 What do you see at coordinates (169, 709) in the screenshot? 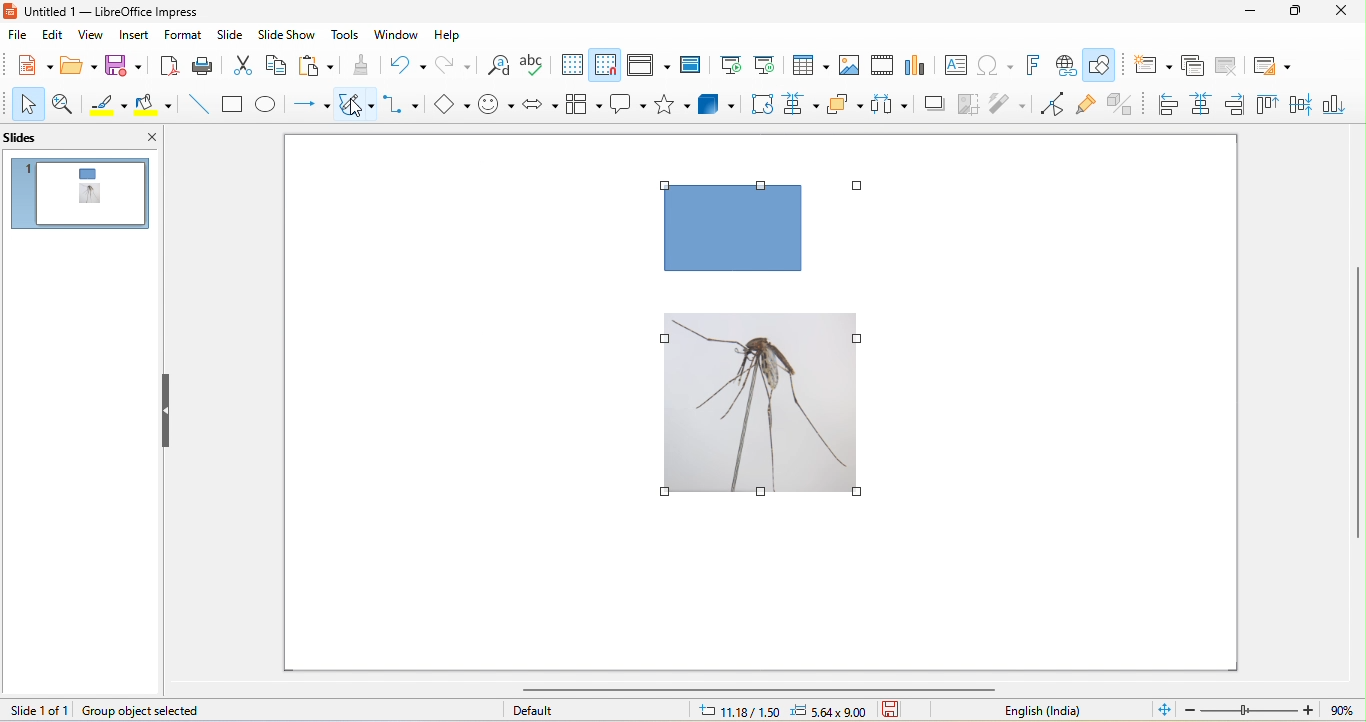
I see `group object selected` at bounding box center [169, 709].